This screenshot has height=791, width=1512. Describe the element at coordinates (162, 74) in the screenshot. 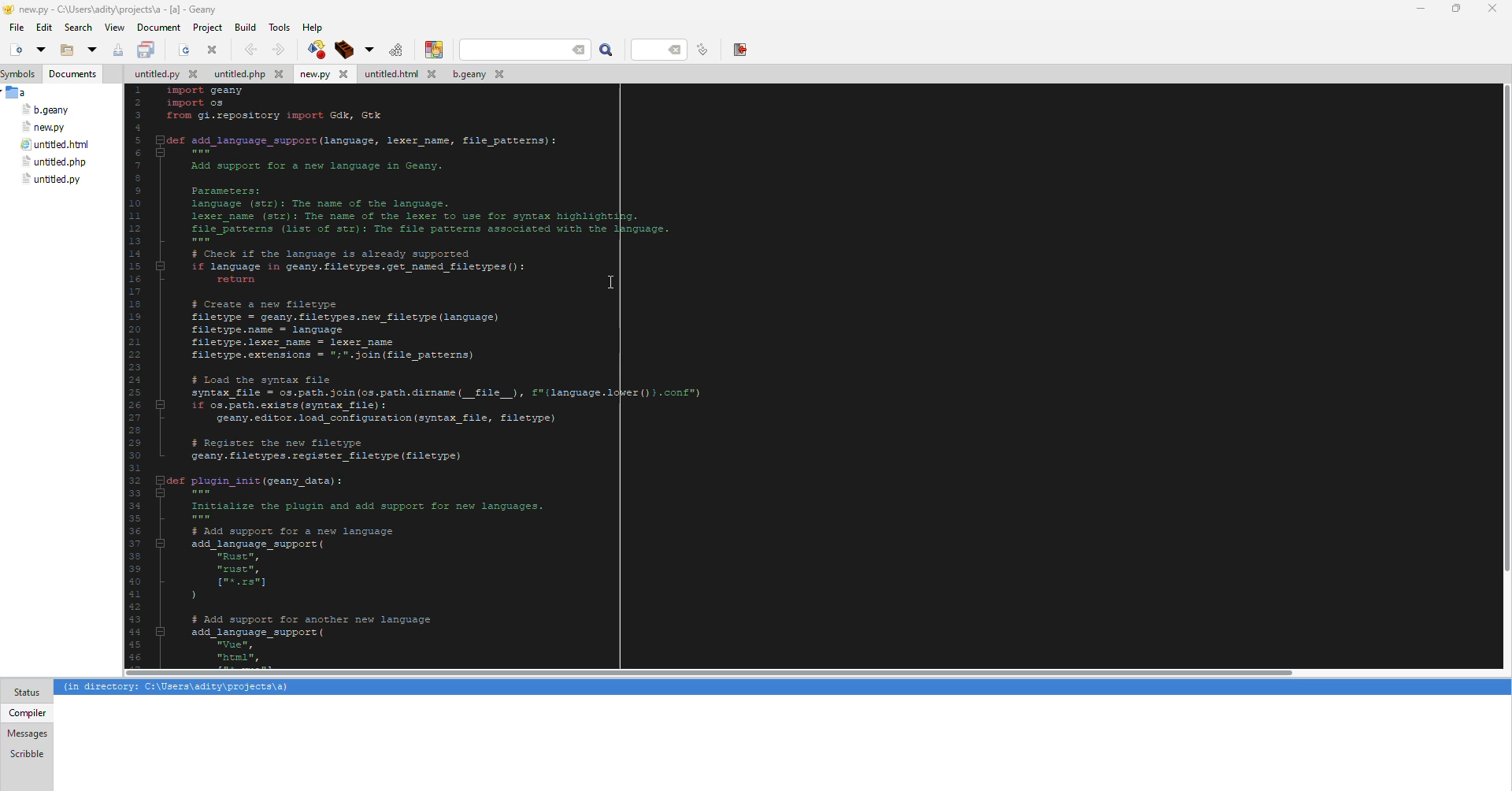

I see `file` at that location.